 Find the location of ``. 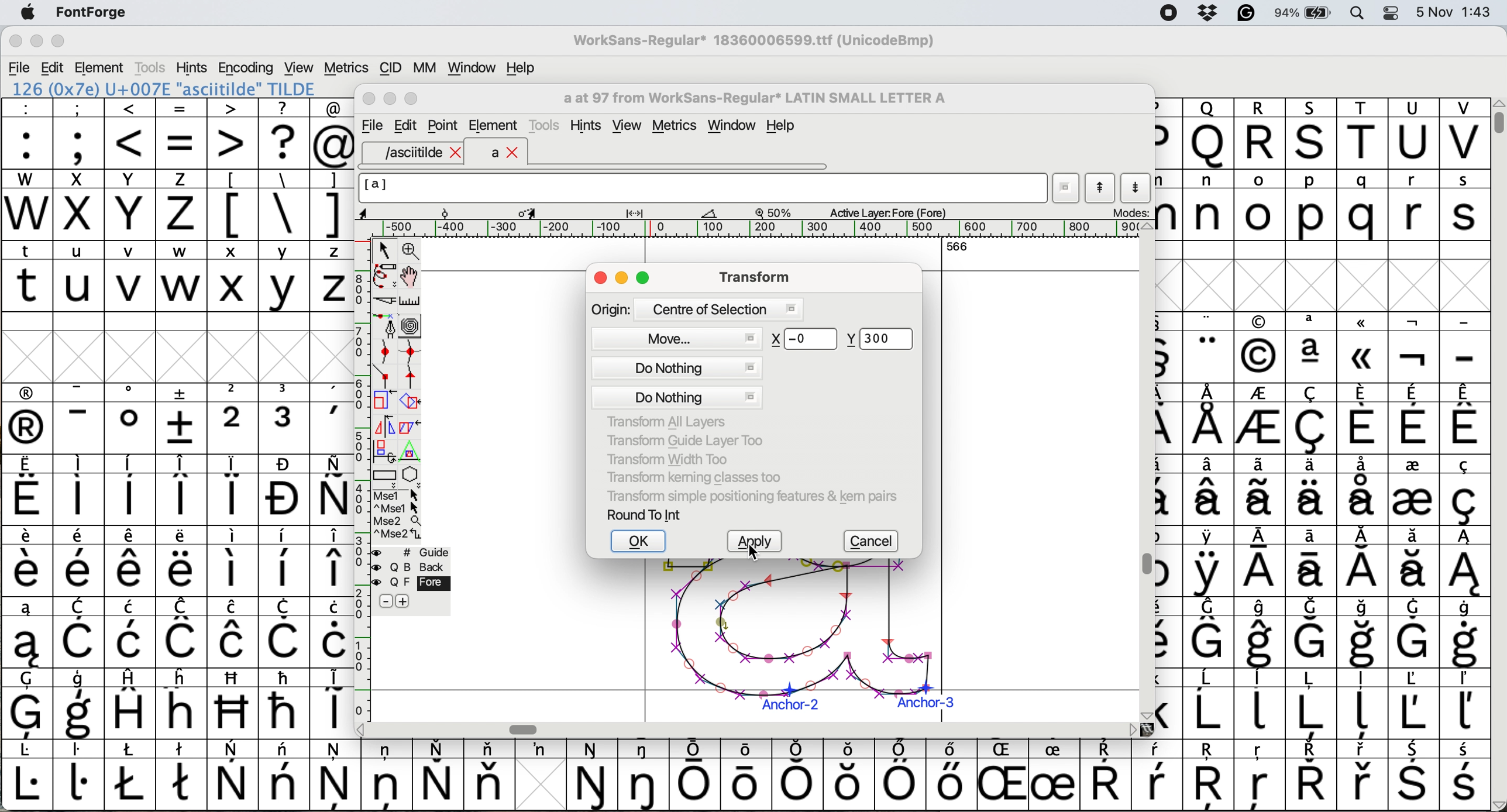

 is located at coordinates (1364, 347).